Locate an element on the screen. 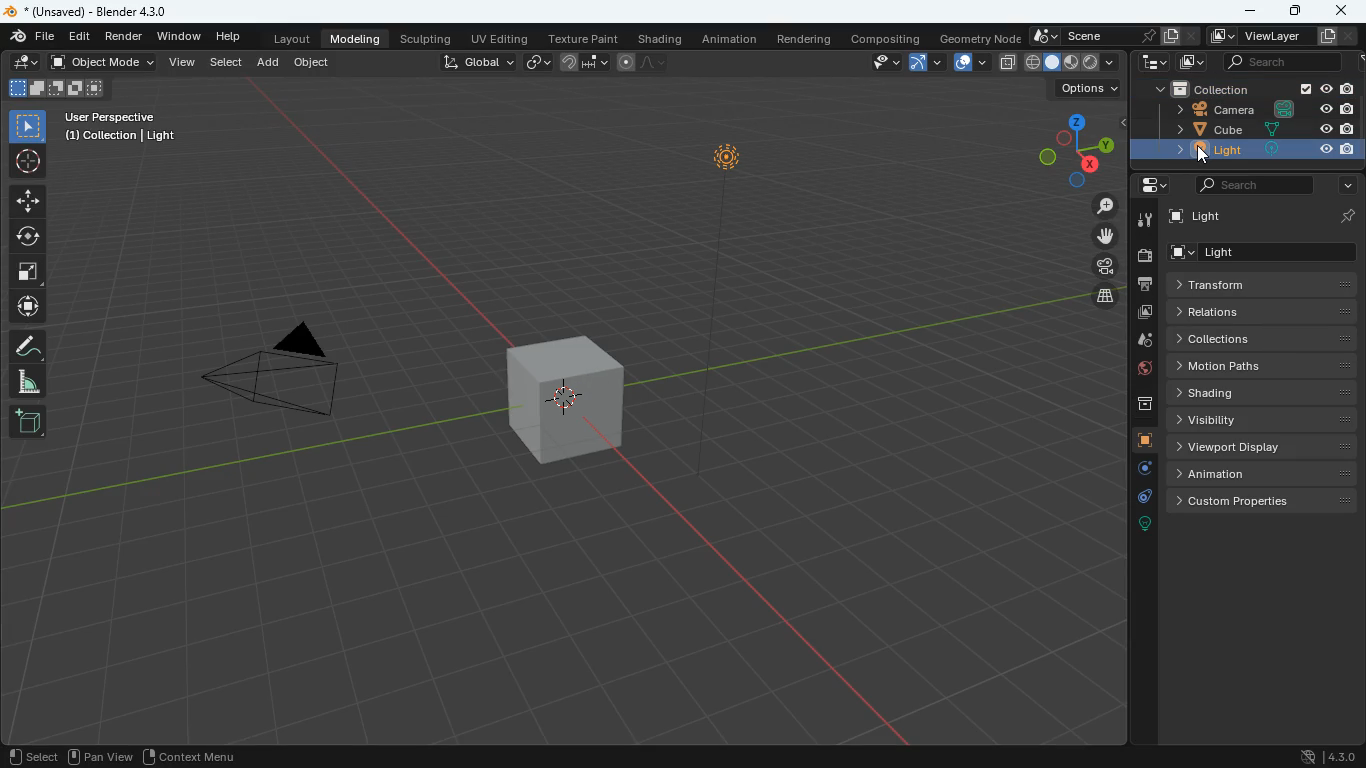 This screenshot has height=768, width=1366. render is located at coordinates (124, 37).